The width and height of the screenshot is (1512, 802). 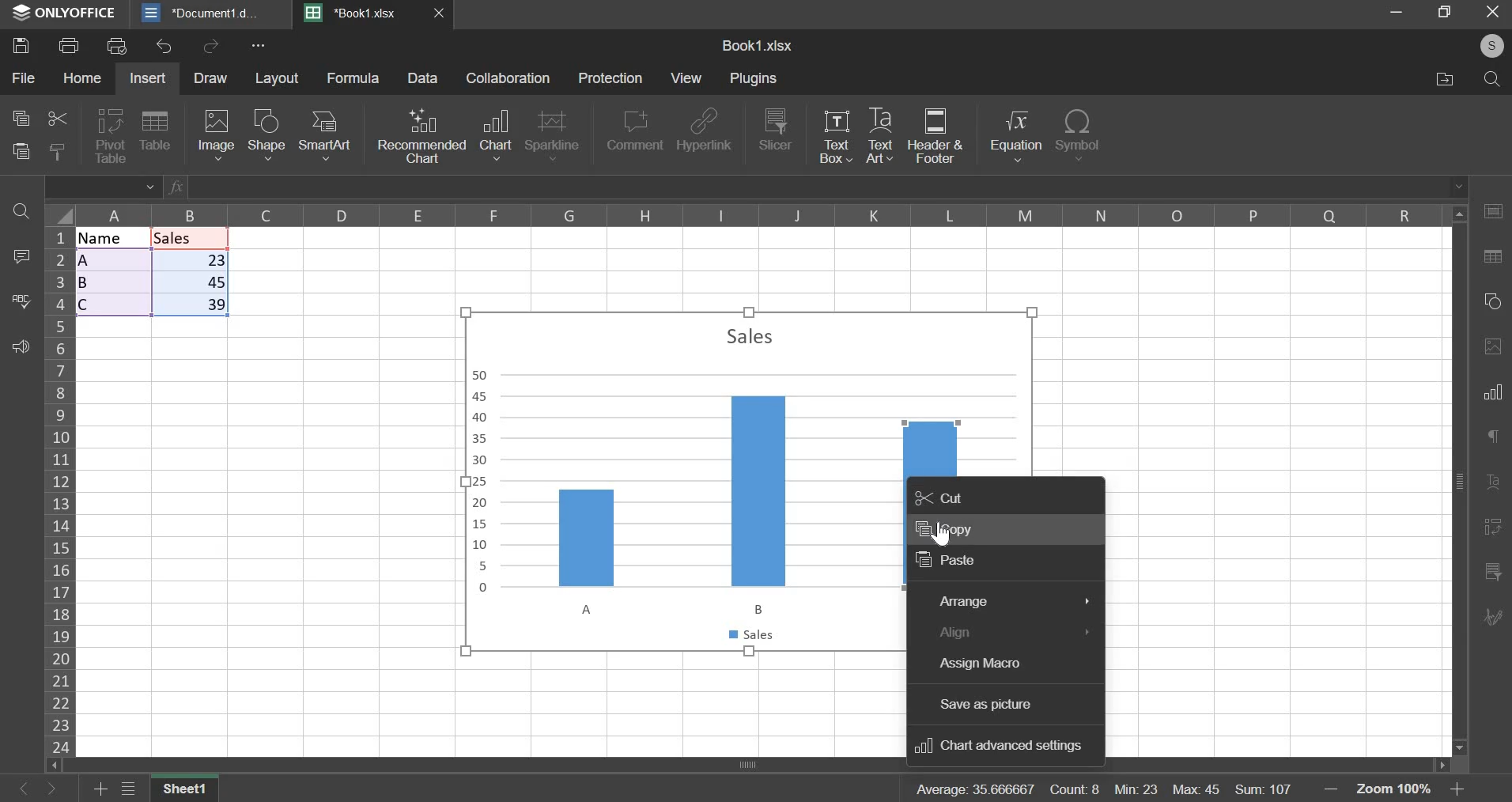 I want to click on comment, so click(x=634, y=133).